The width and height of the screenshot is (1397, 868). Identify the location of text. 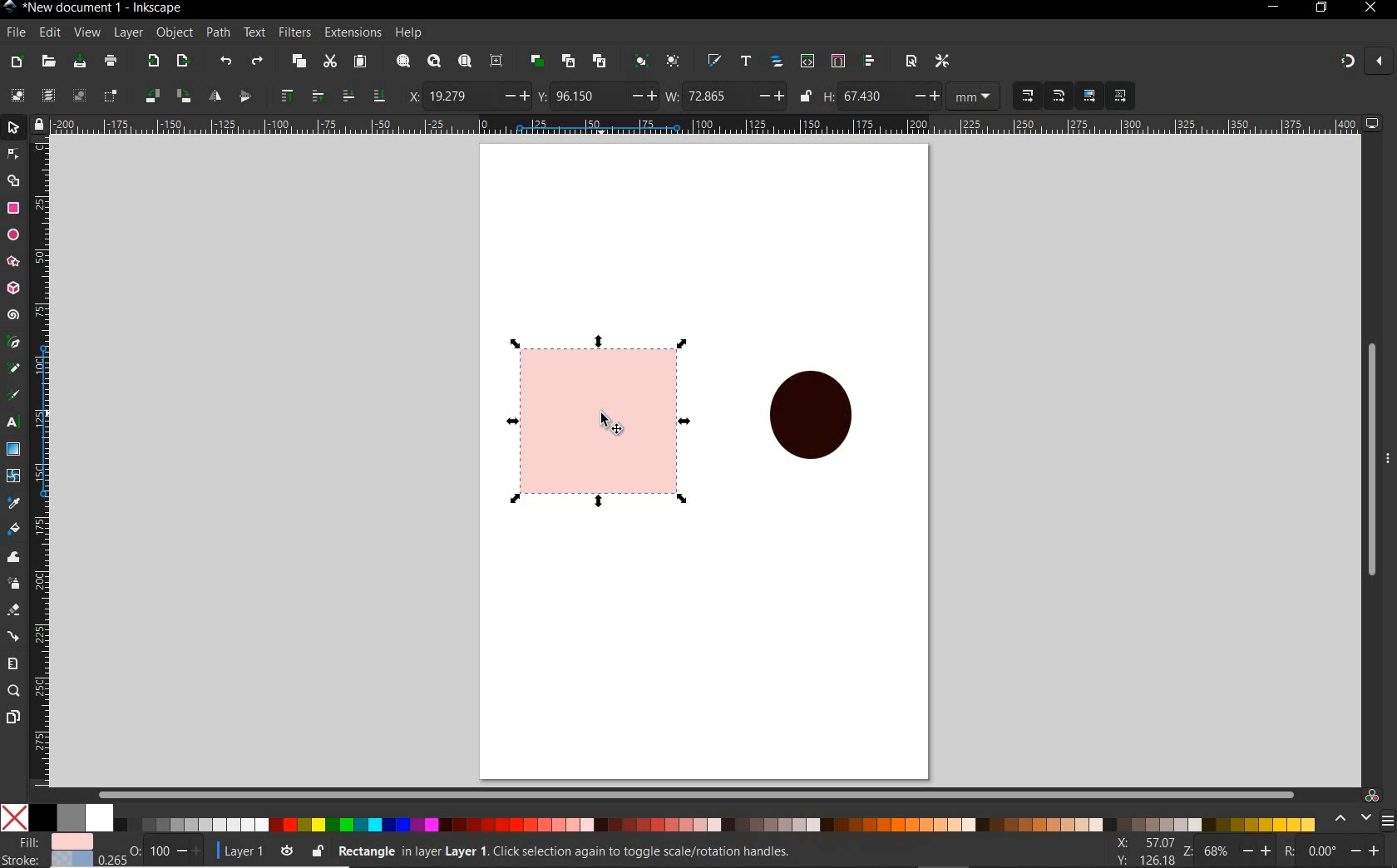
(255, 32).